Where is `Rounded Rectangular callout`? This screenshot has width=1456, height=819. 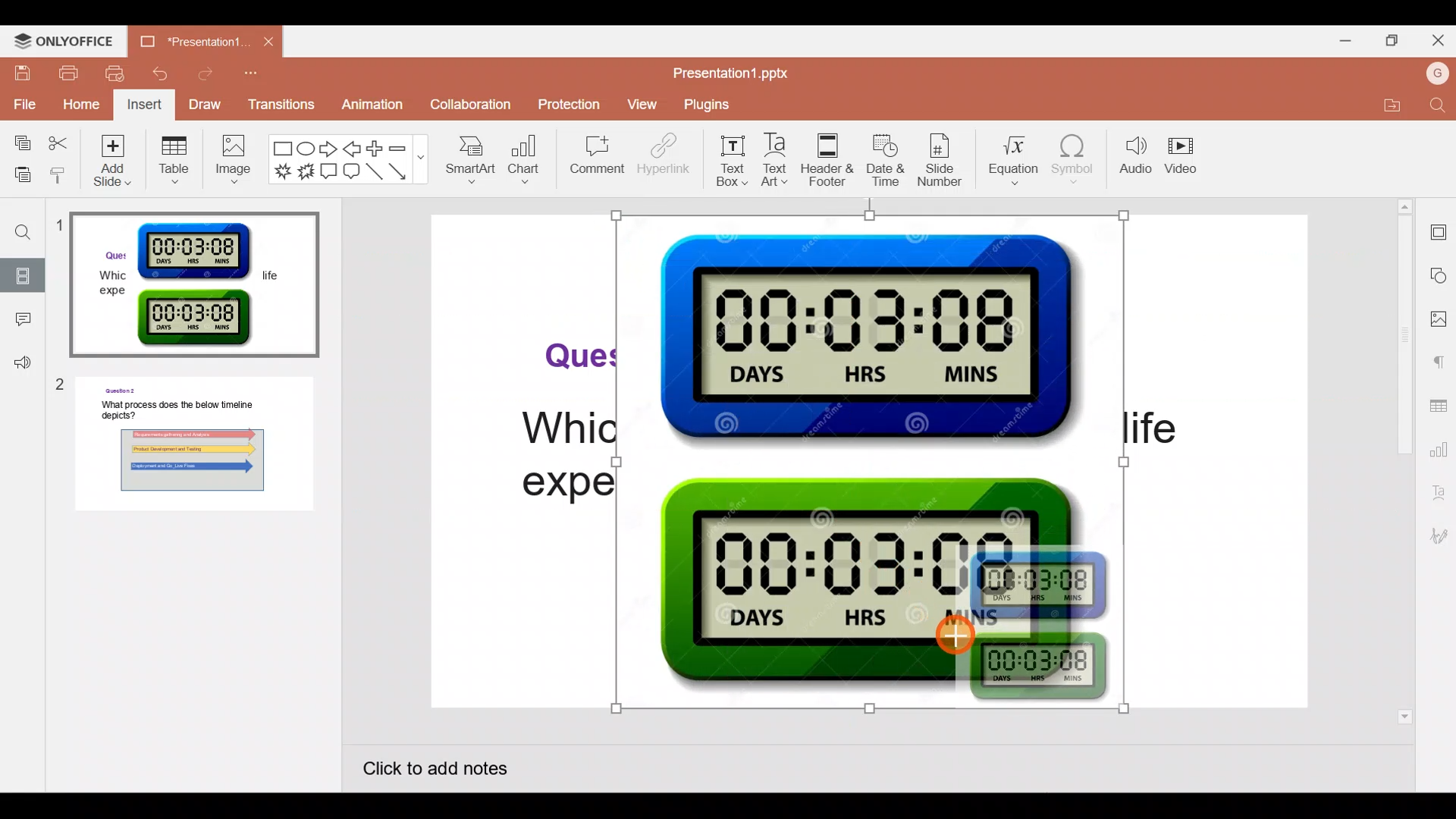
Rounded Rectangular callout is located at coordinates (355, 173).